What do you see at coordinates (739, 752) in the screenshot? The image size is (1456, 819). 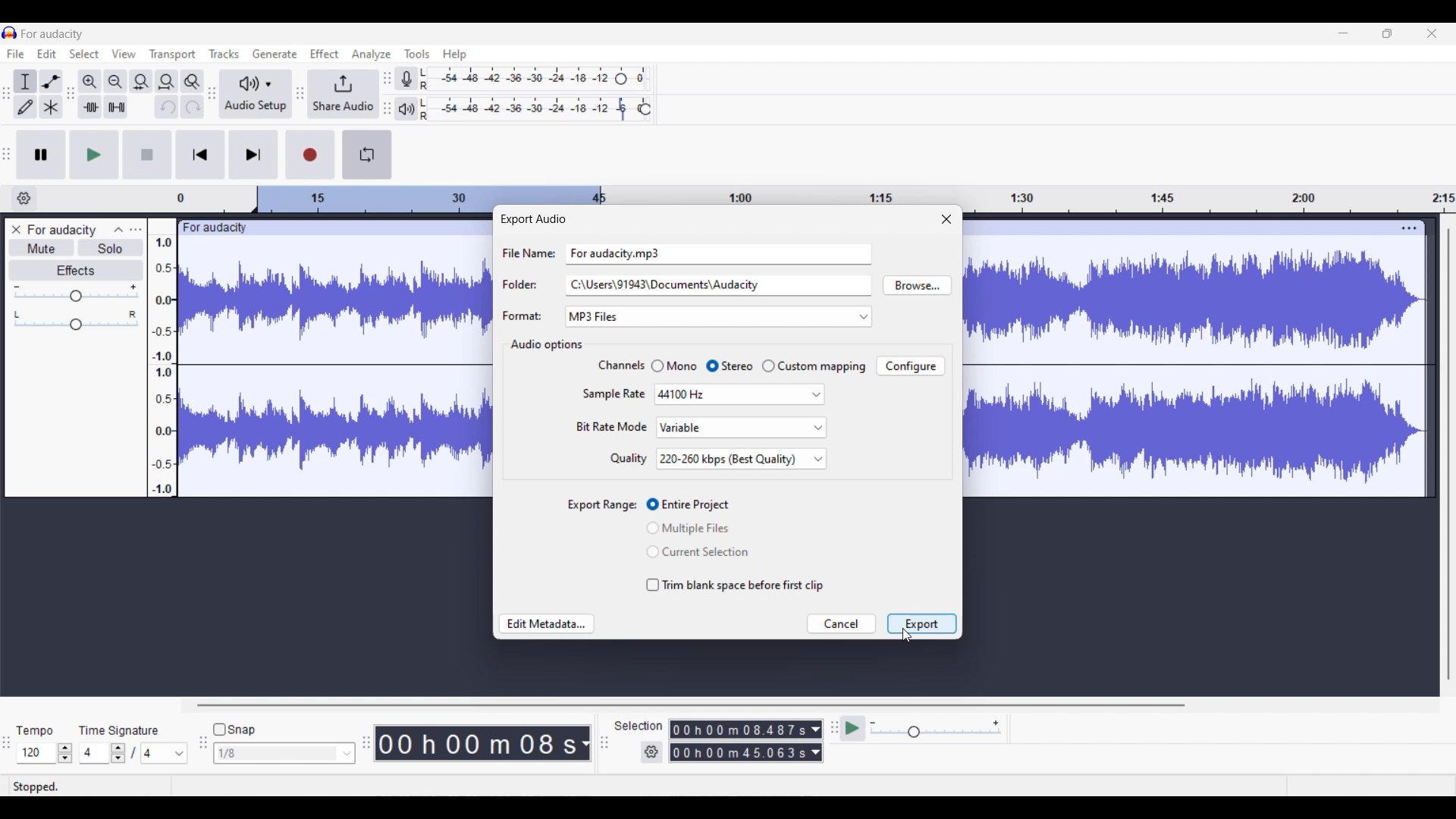 I see `Selection duration measurement` at bounding box center [739, 752].